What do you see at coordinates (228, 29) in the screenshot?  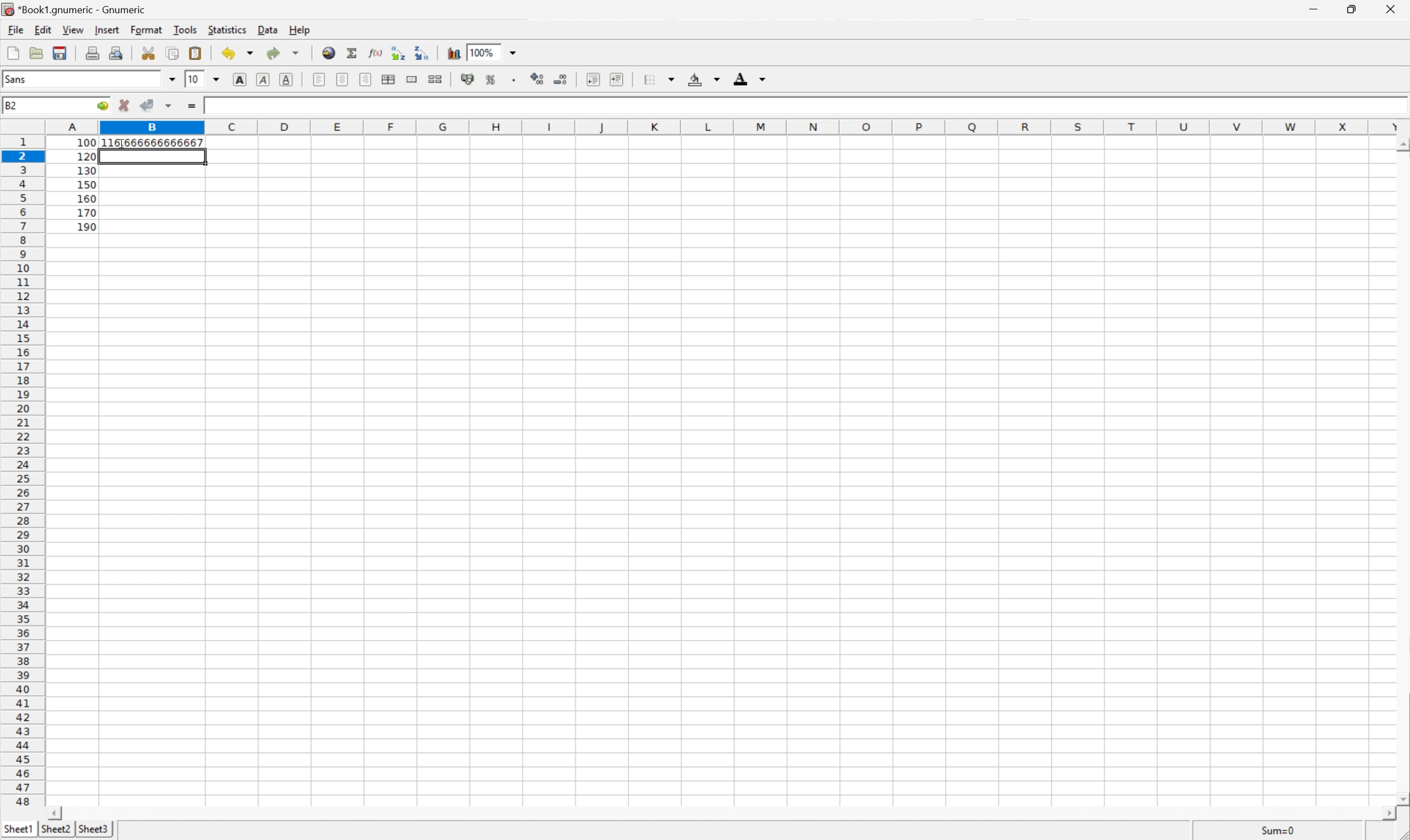 I see `Statistics` at bounding box center [228, 29].